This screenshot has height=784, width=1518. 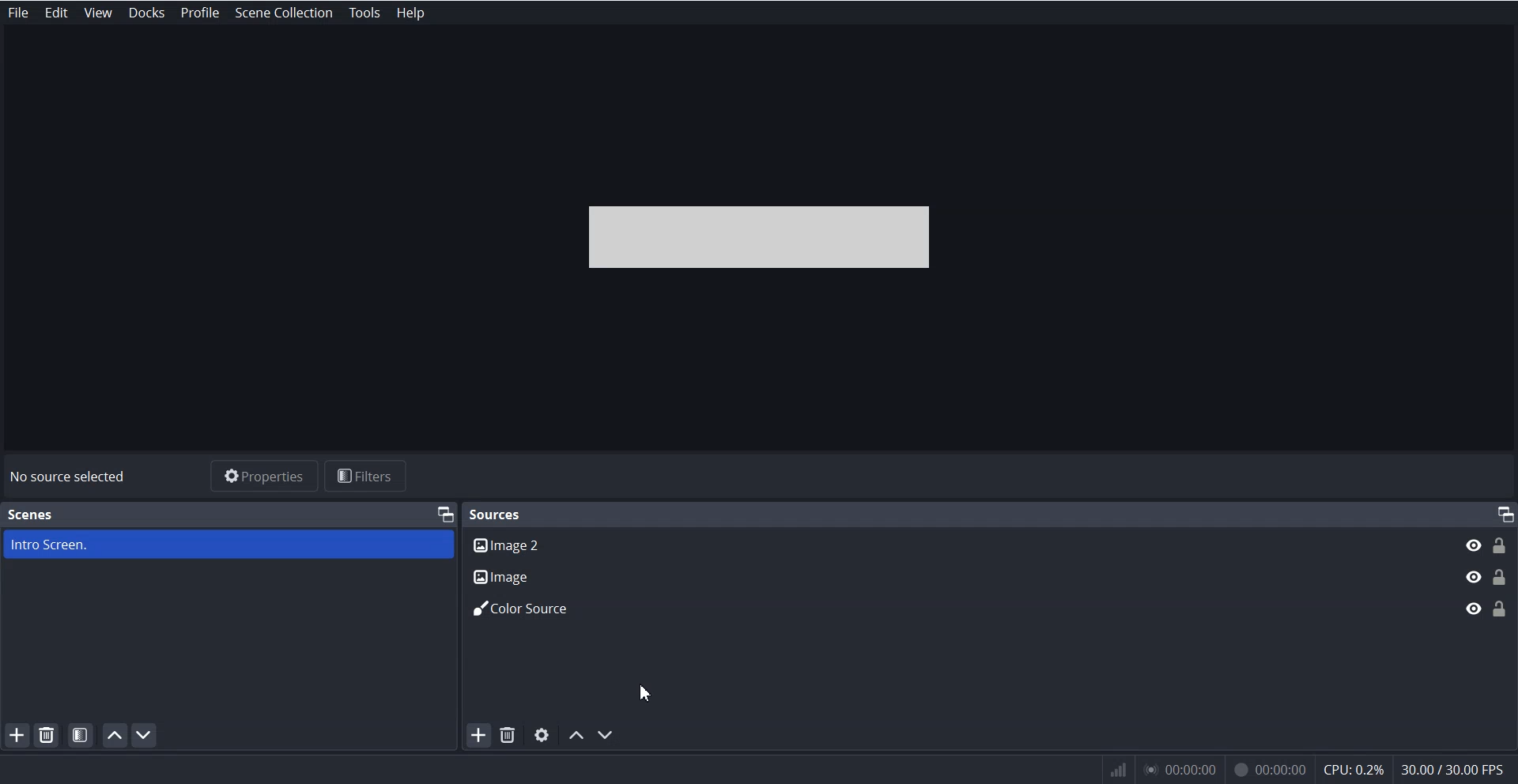 I want to click on Cursor, so click(x=646, y=692).